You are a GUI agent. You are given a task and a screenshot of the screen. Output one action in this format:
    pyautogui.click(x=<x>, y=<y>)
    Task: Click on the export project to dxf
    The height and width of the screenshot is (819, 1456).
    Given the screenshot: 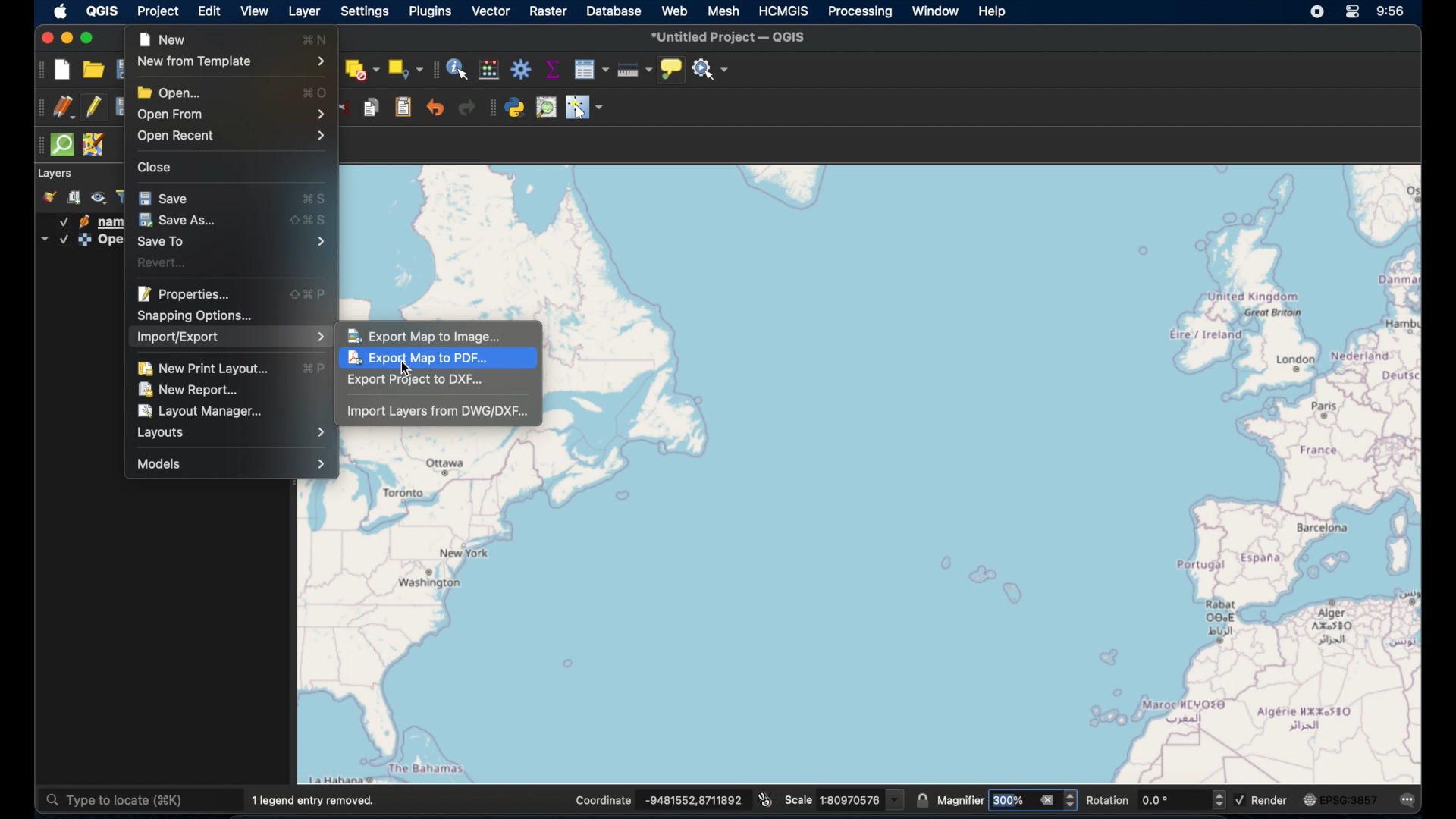 What is the action you would take?
    pyautogui.click(x=416, y=381)
    